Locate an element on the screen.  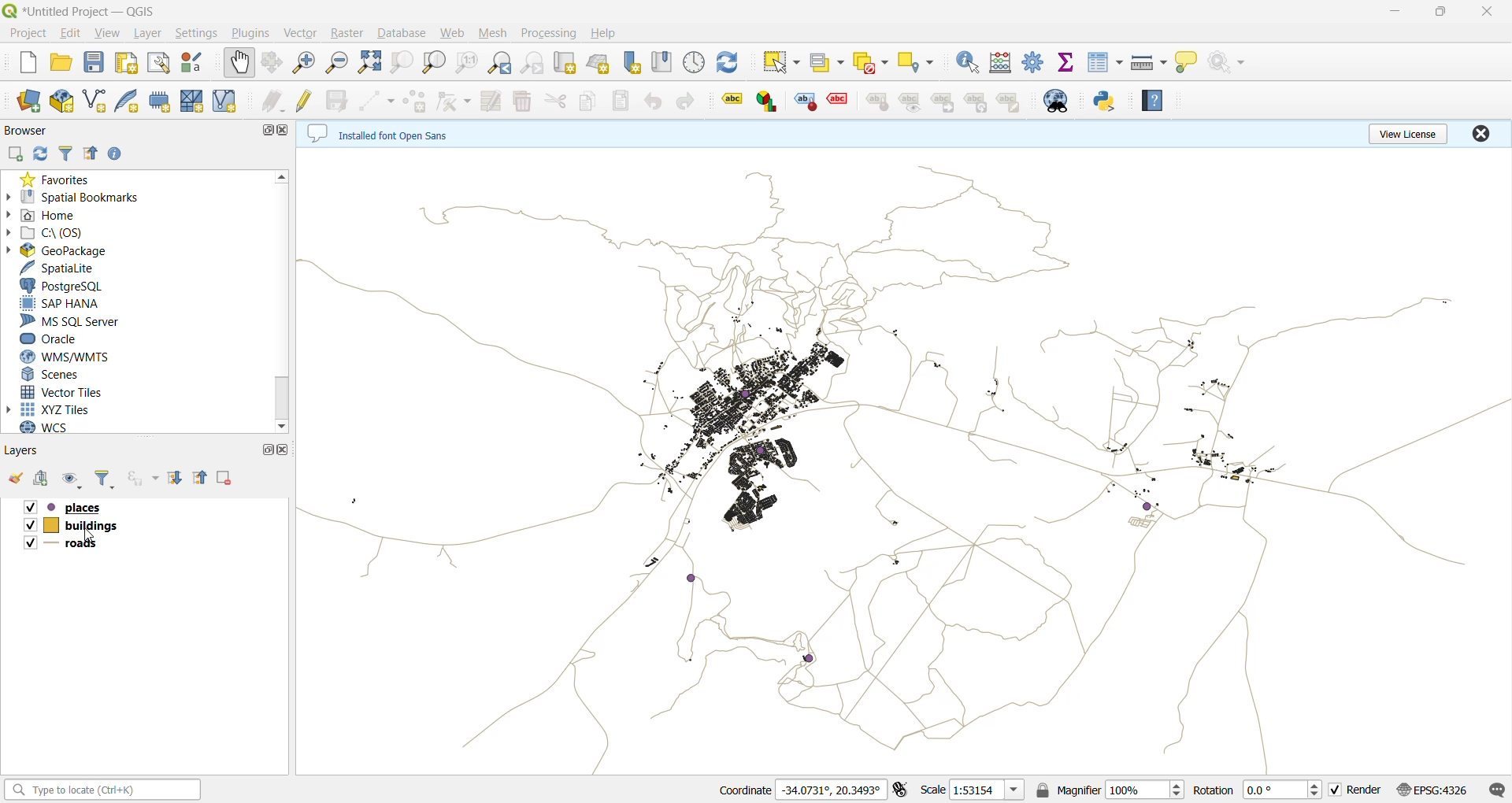
select location is located at coordinates (914, 60).